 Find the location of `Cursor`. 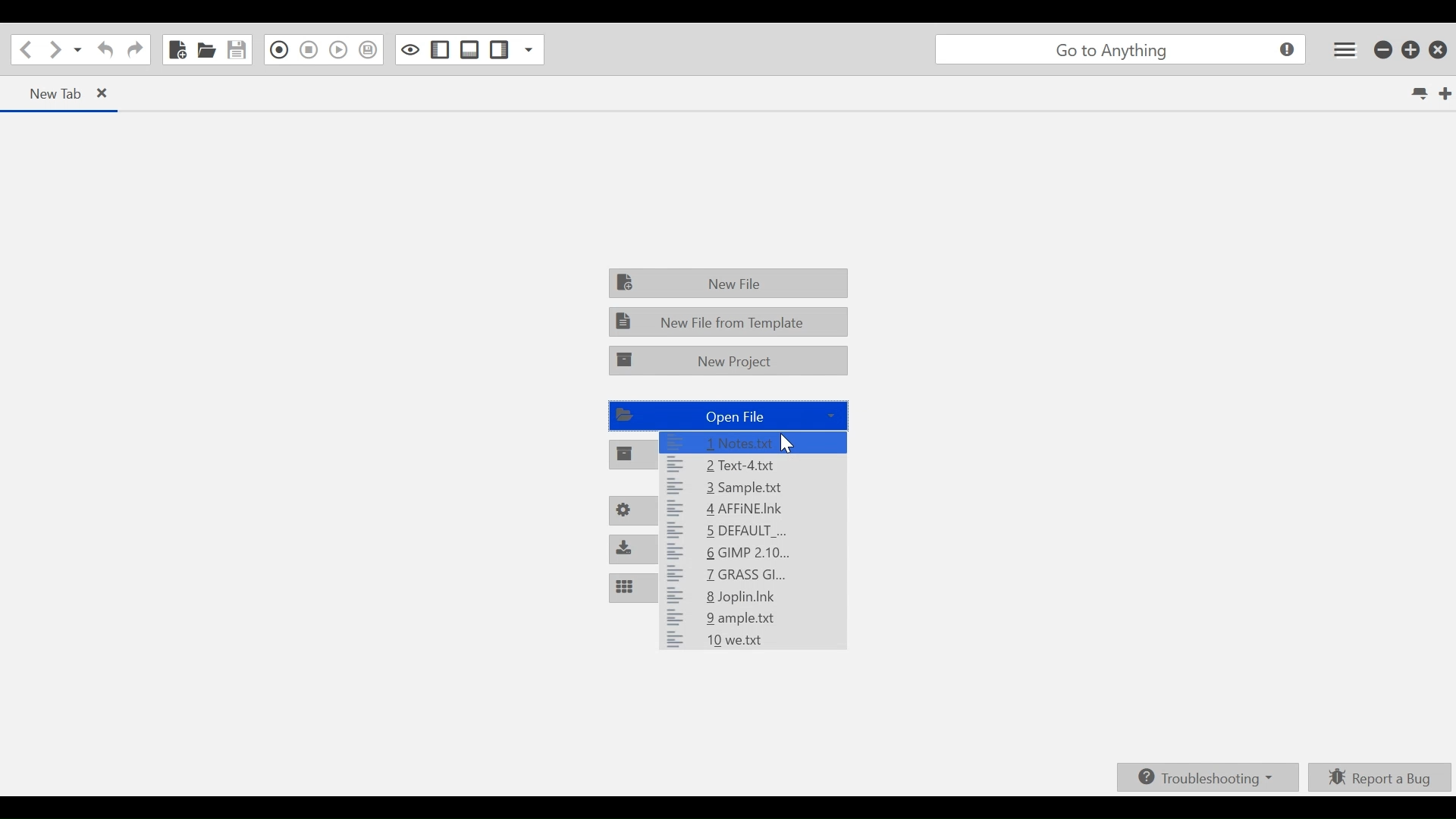

Cursor is located at coordinates (783, 444).